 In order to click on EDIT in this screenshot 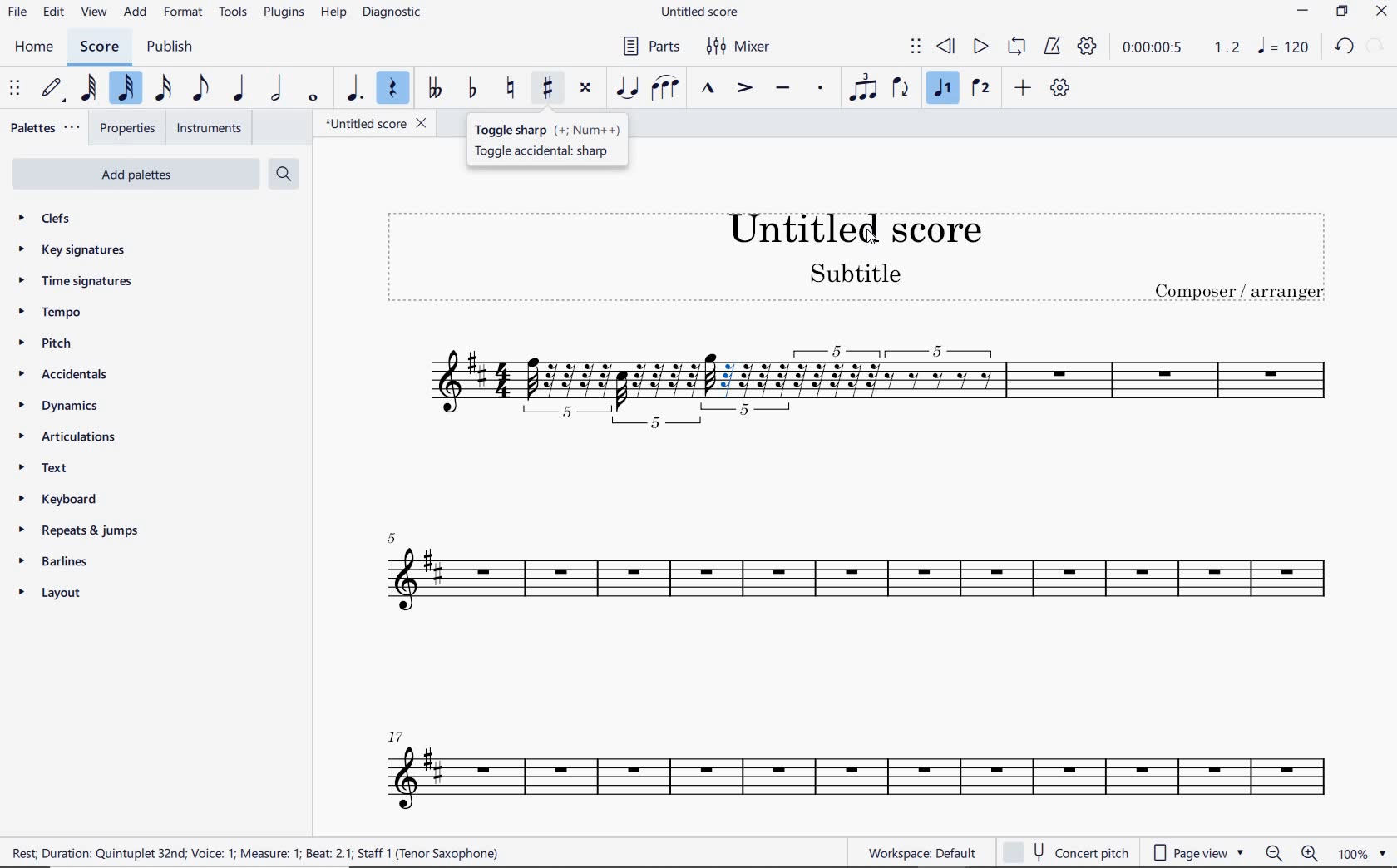, I will do `click(53, 12)`.